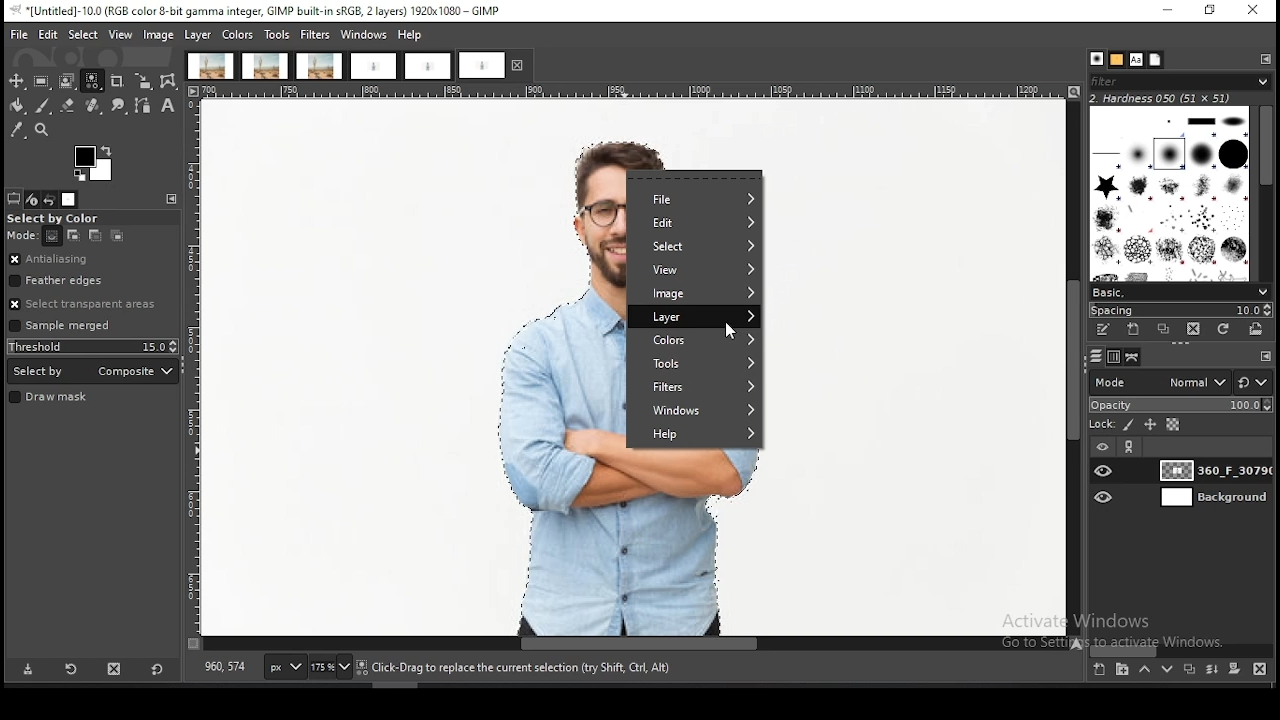 This screenshot has height=720, width=1280. What do you see at coordinates (695, 271) in the screenshot?
I see `view` at bounding box center [695, 271].